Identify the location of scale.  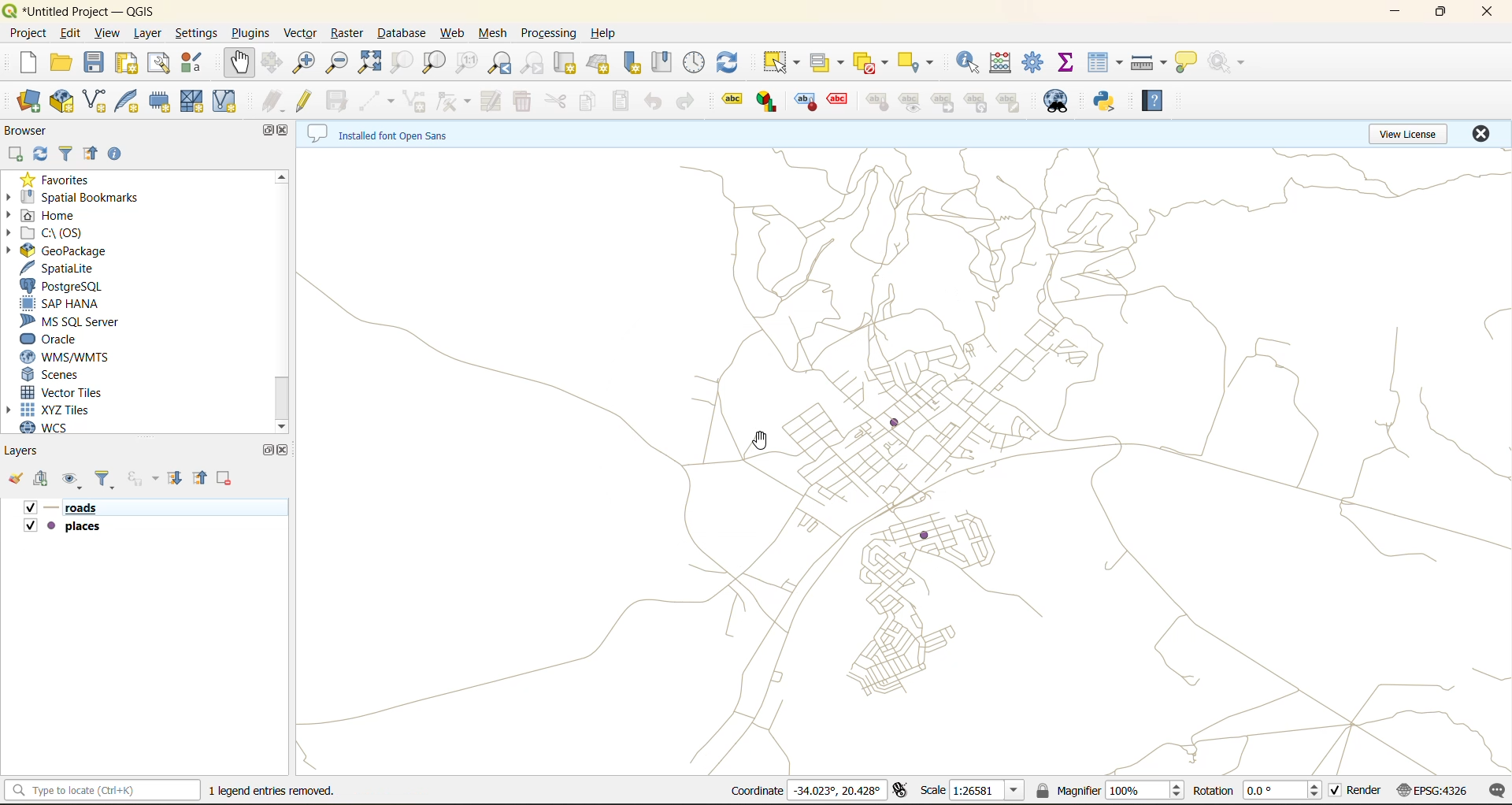
(973, 792).